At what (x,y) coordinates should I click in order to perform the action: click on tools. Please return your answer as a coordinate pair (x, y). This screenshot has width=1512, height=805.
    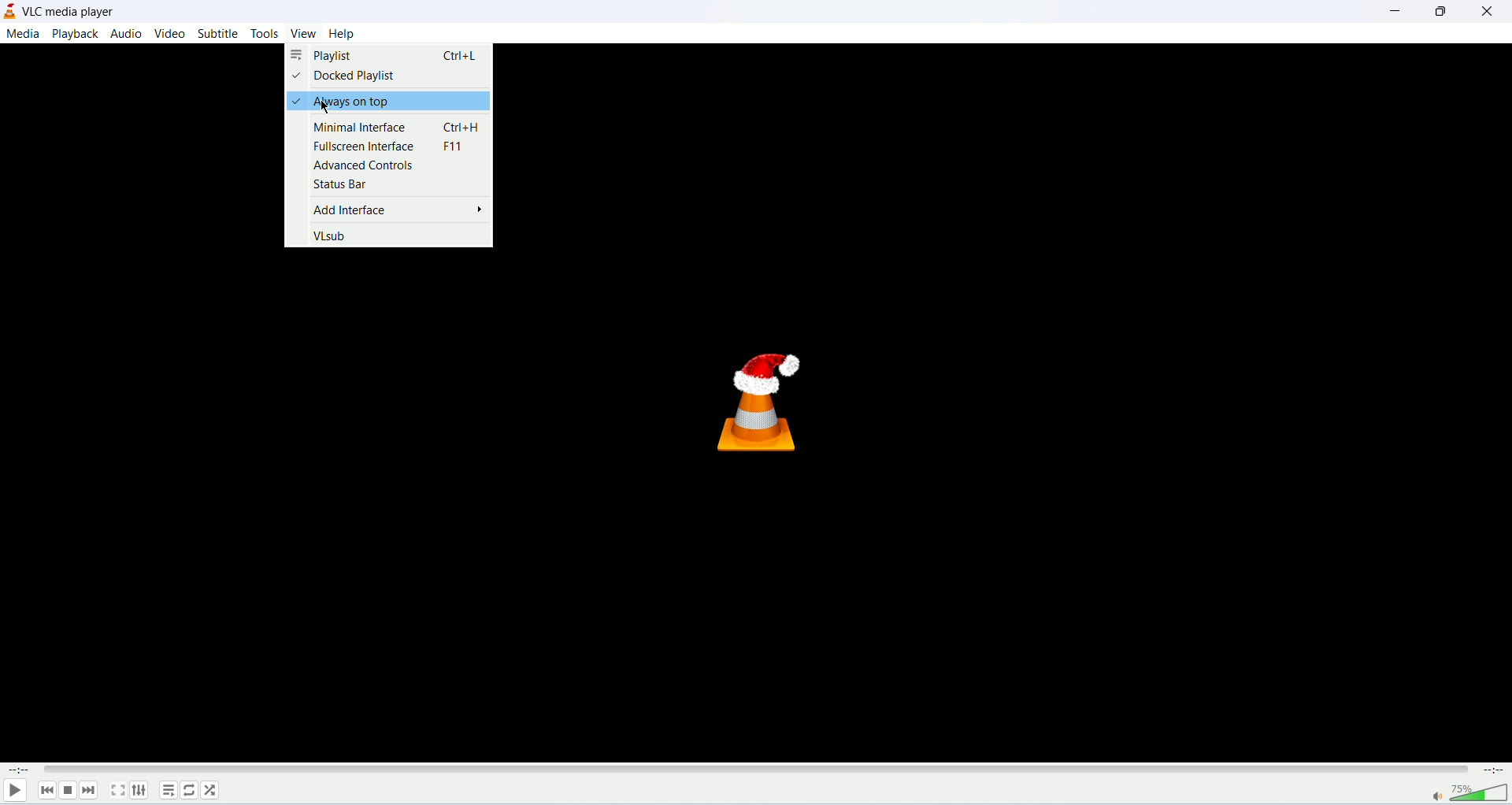
    Looking at the image, I should click on (265, 35).